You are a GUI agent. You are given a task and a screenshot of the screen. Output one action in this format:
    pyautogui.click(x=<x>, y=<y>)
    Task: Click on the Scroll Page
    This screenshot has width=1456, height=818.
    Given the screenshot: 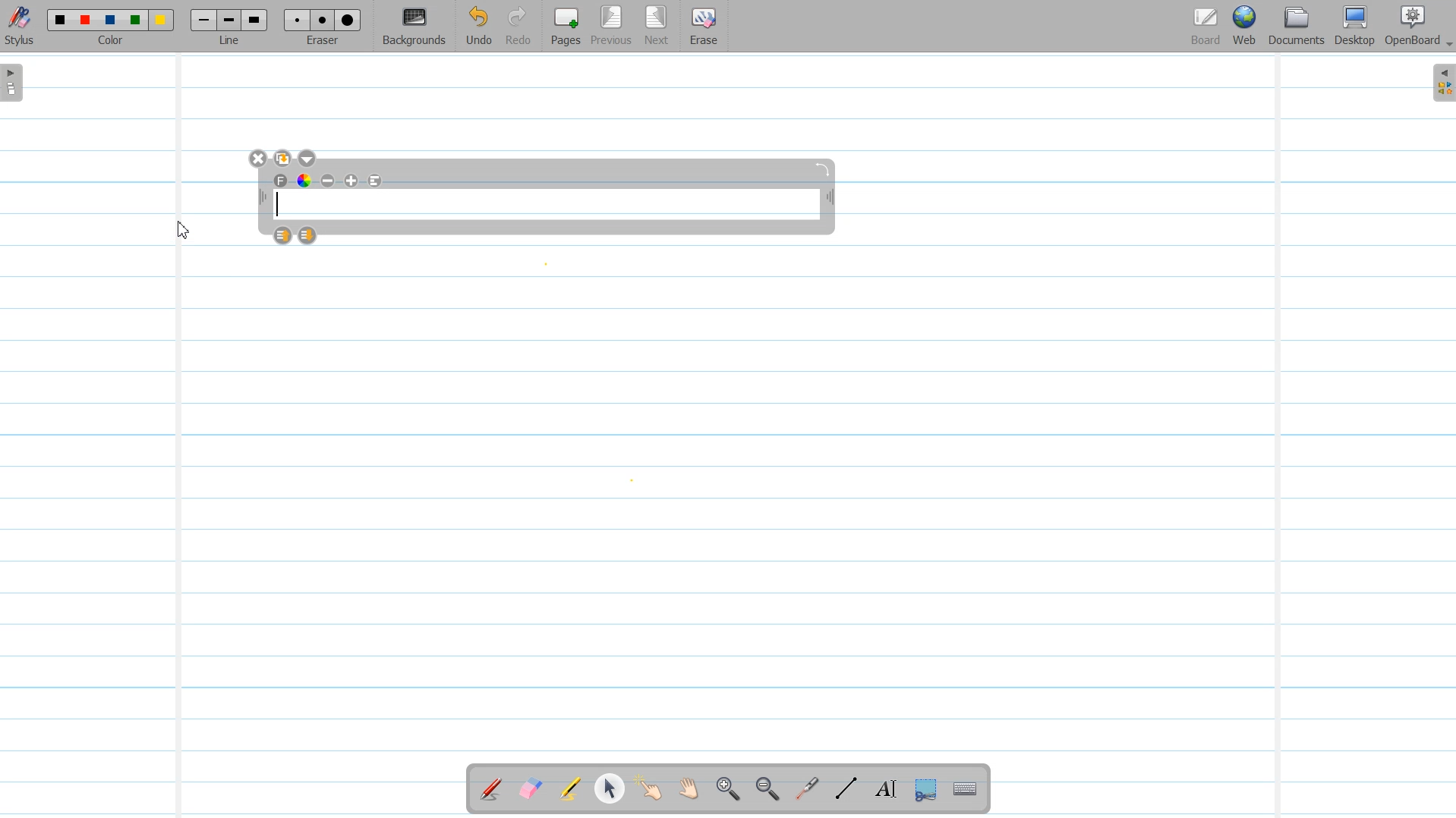 What is the action you would take?
    pyautogui.click(x=689, y=790)
    